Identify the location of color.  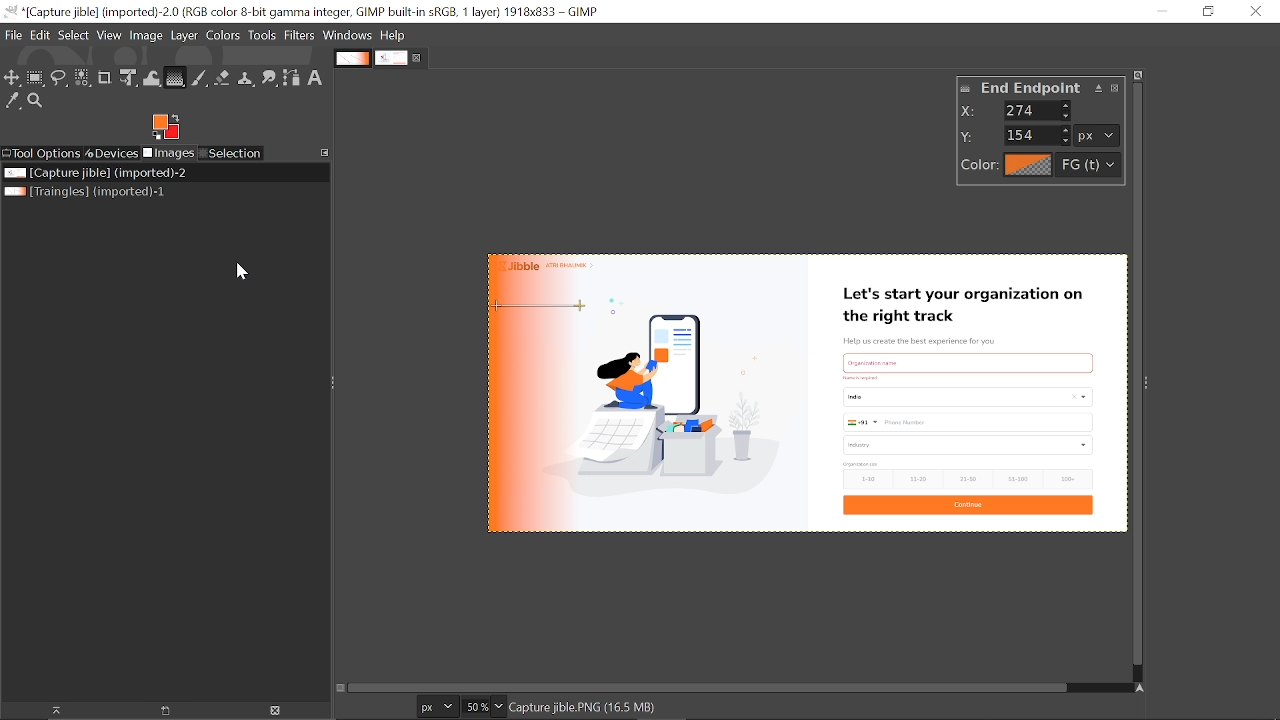
(1036, 166).